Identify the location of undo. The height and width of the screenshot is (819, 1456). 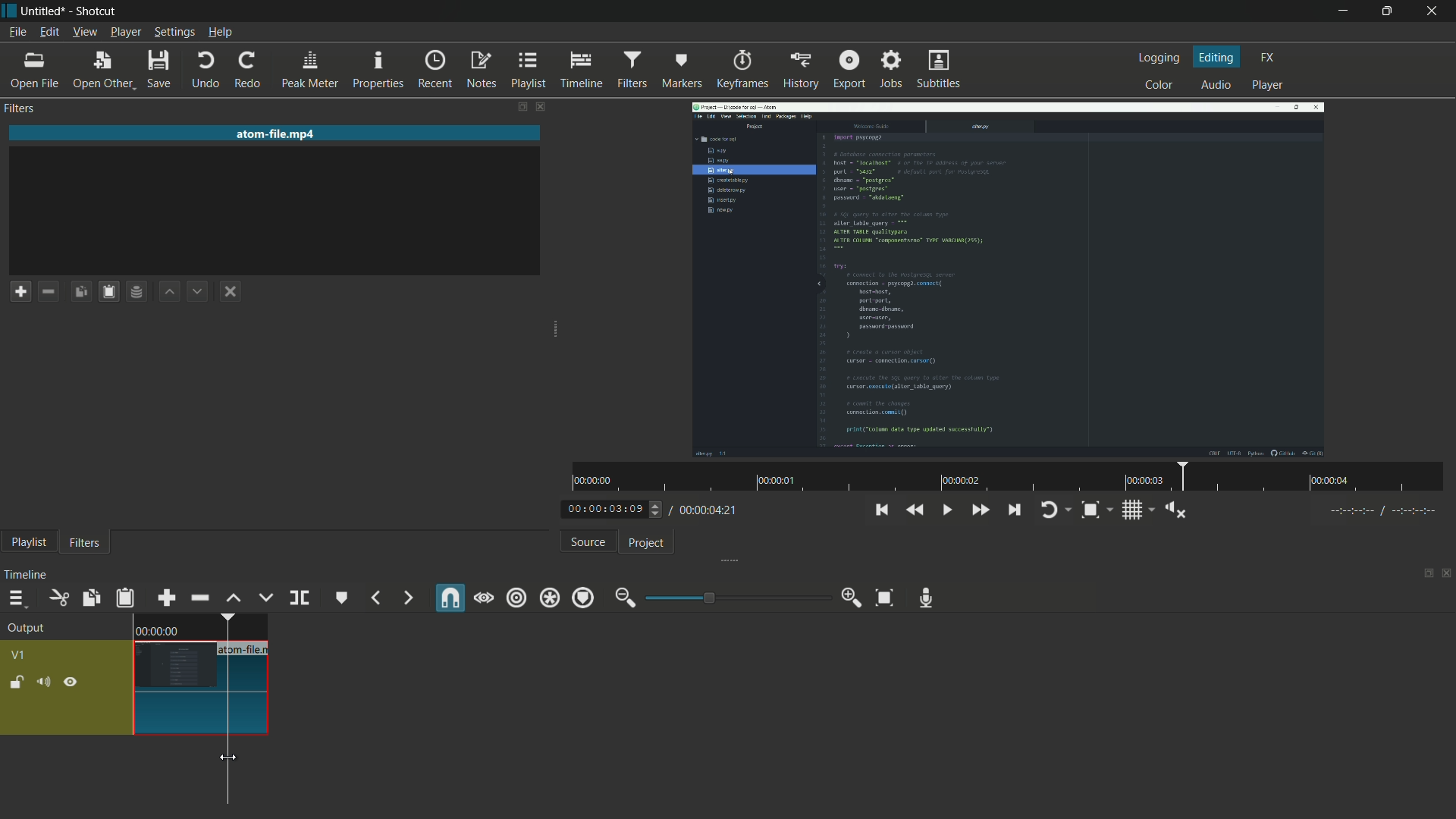
(206, 69).